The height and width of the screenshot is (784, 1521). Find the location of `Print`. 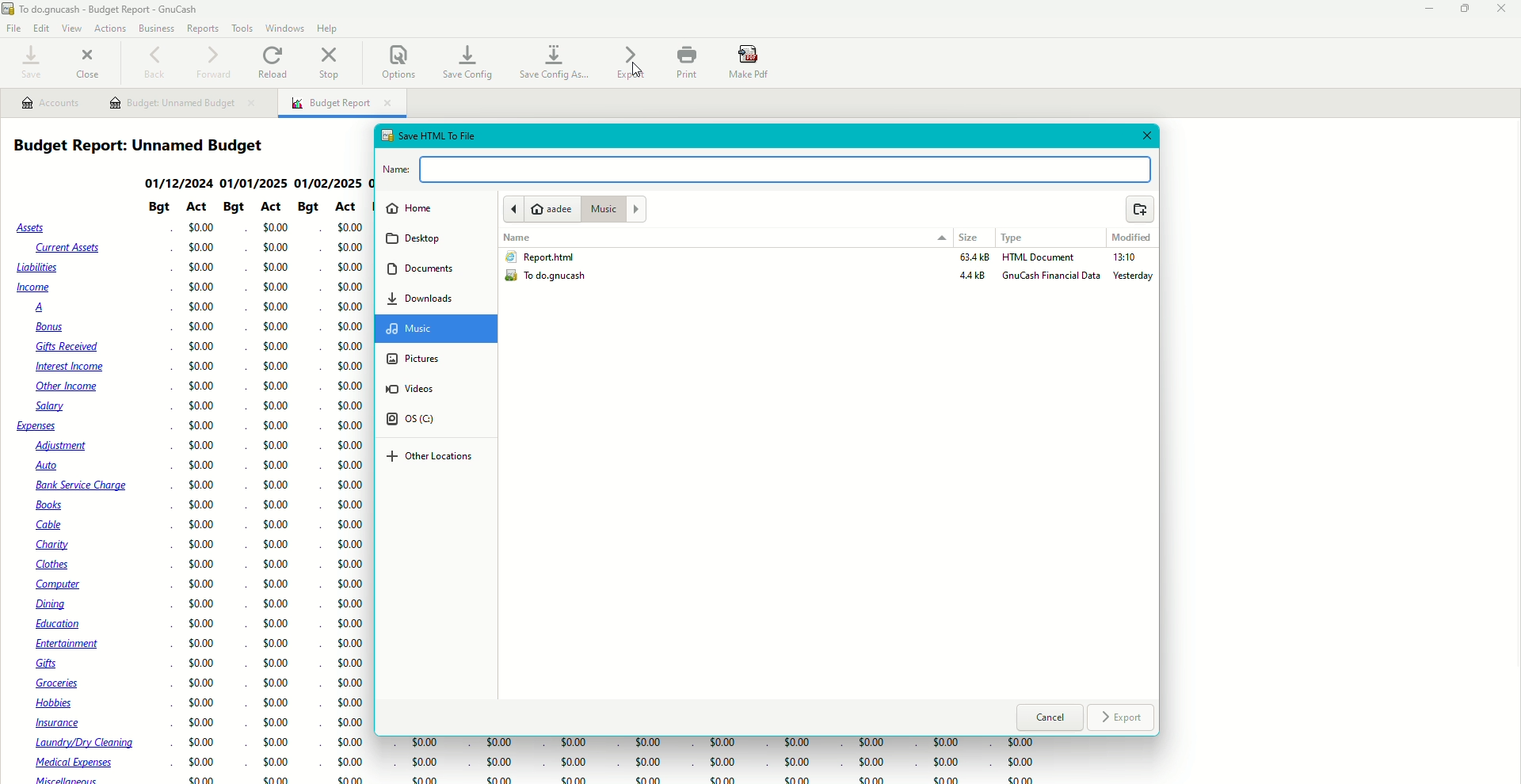

Print is located at coordinates (685, 63).